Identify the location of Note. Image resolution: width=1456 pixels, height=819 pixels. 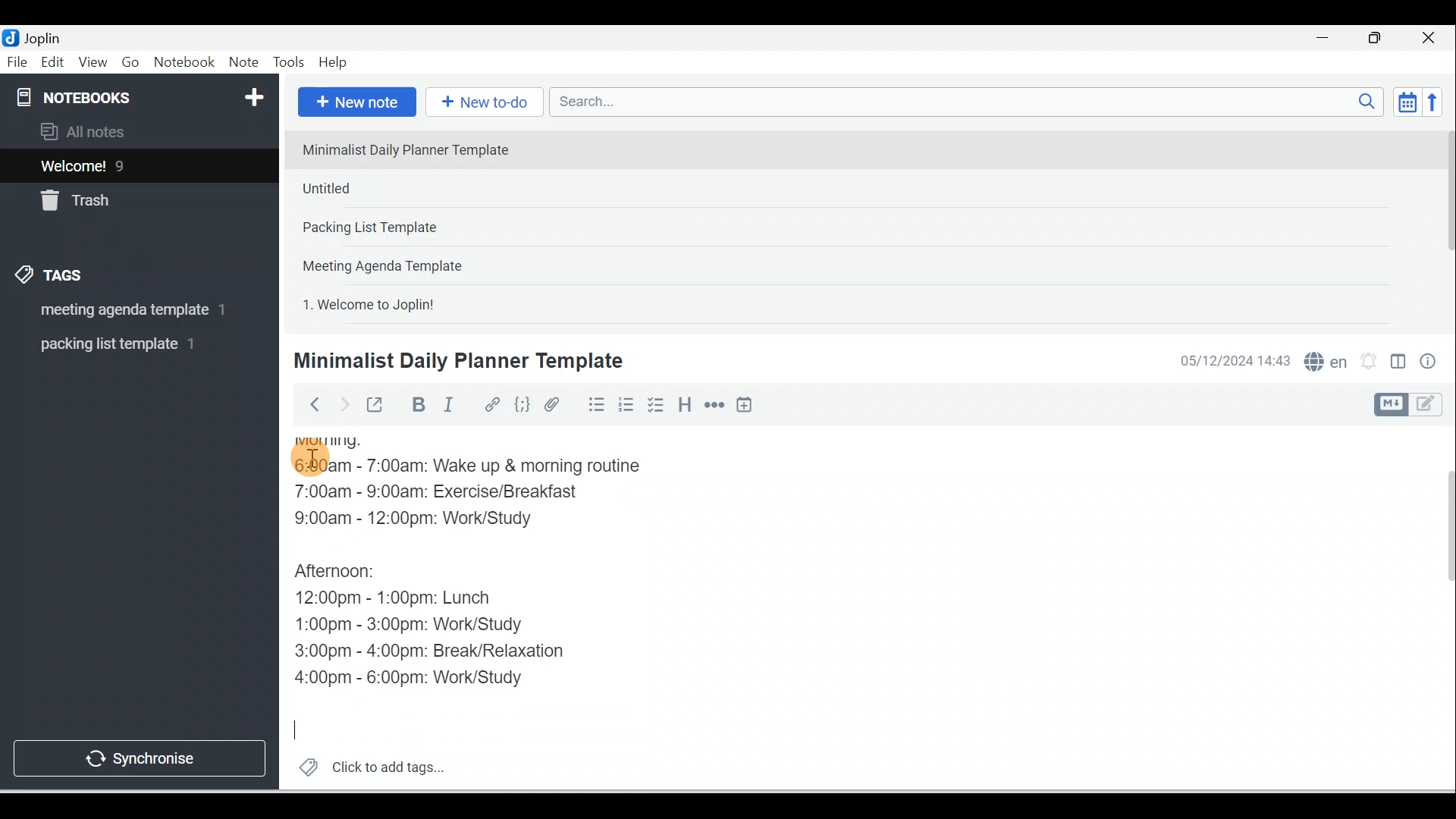
(242, 63).